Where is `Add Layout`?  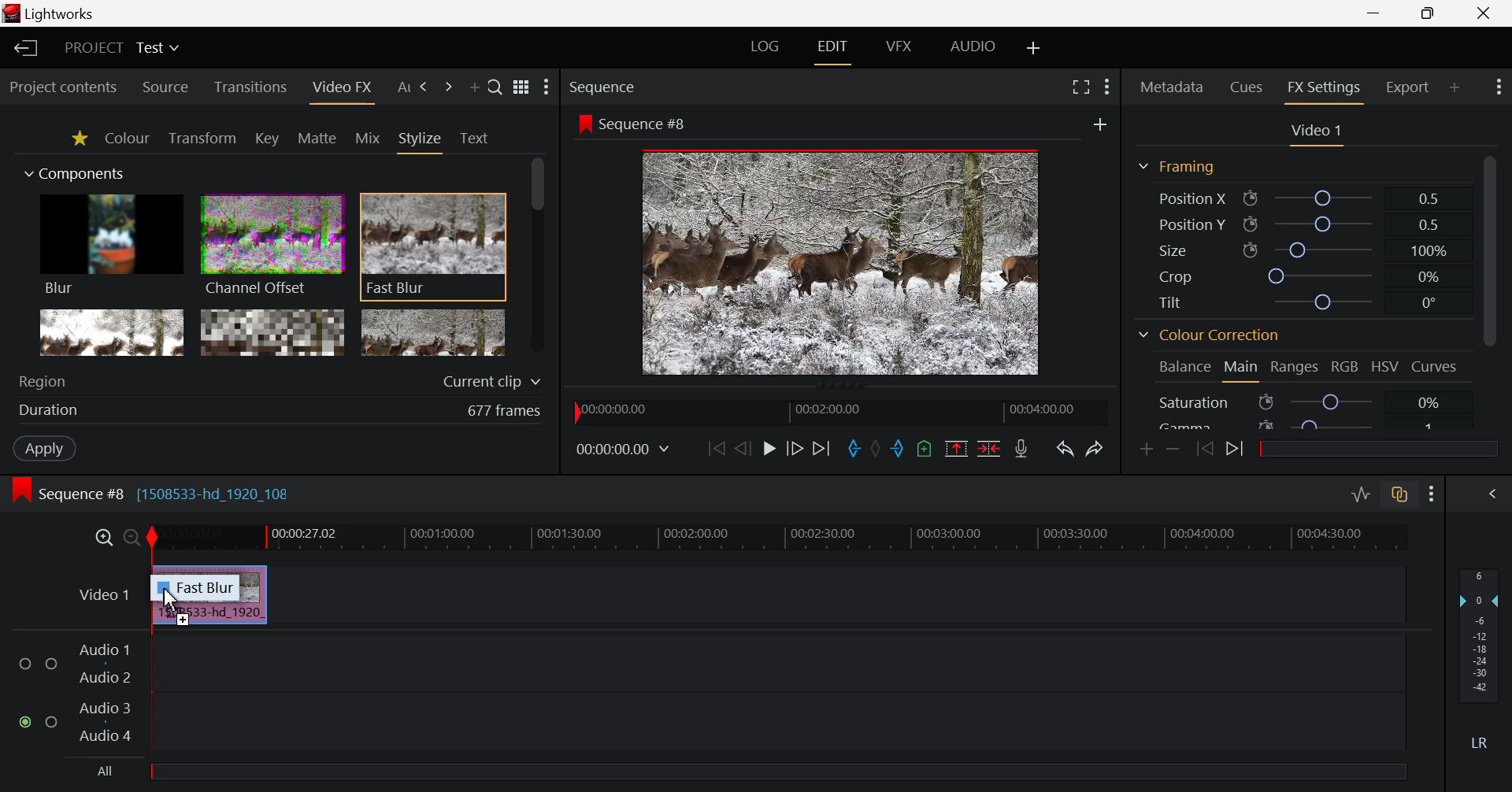 Add Layout is located at coordinates (1035, 50).